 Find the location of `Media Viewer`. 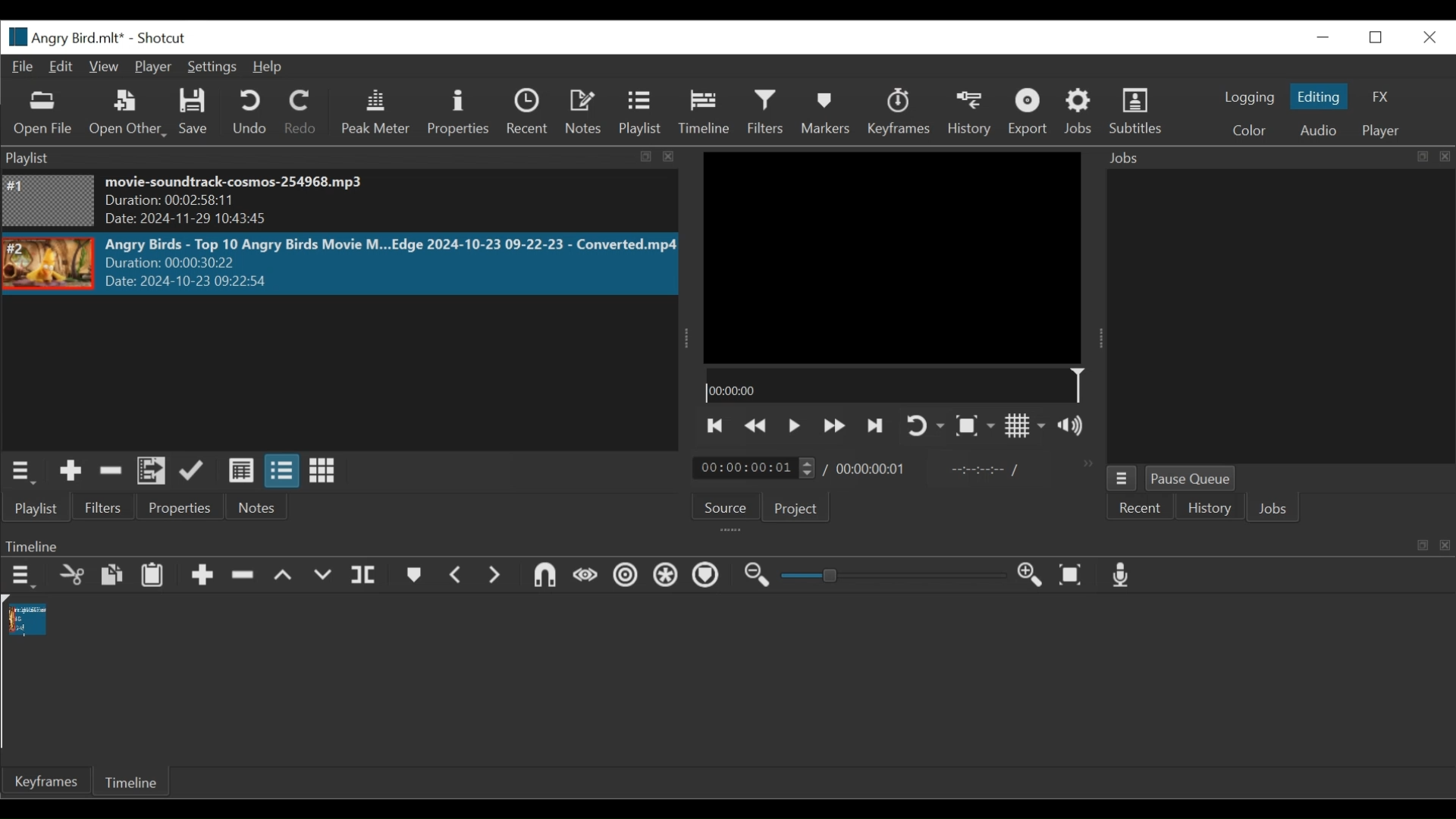

Media Viewer is located at coordinates (875, 256).